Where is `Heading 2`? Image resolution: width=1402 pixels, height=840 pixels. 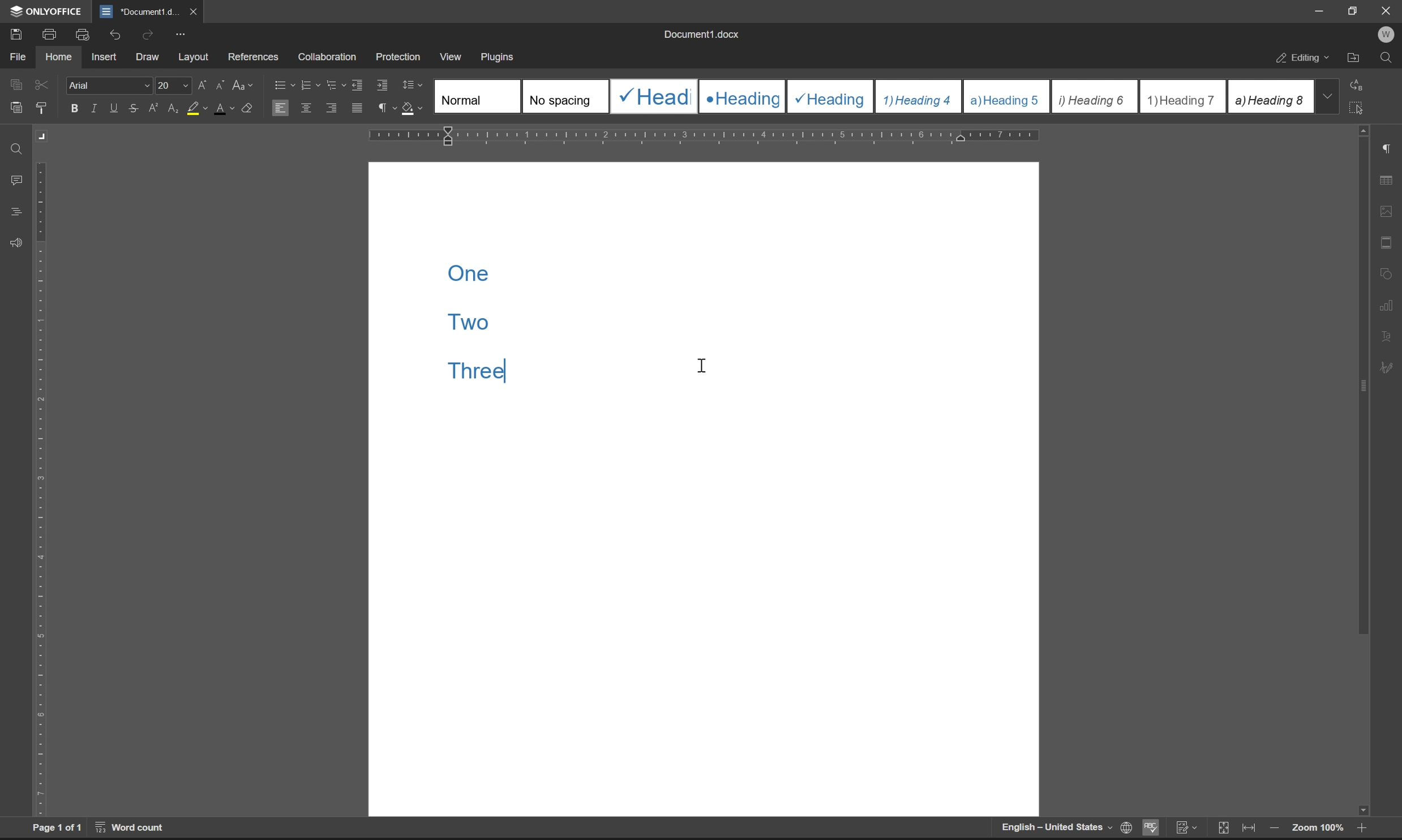
Heading 2 is located at coordinates (742, 97).